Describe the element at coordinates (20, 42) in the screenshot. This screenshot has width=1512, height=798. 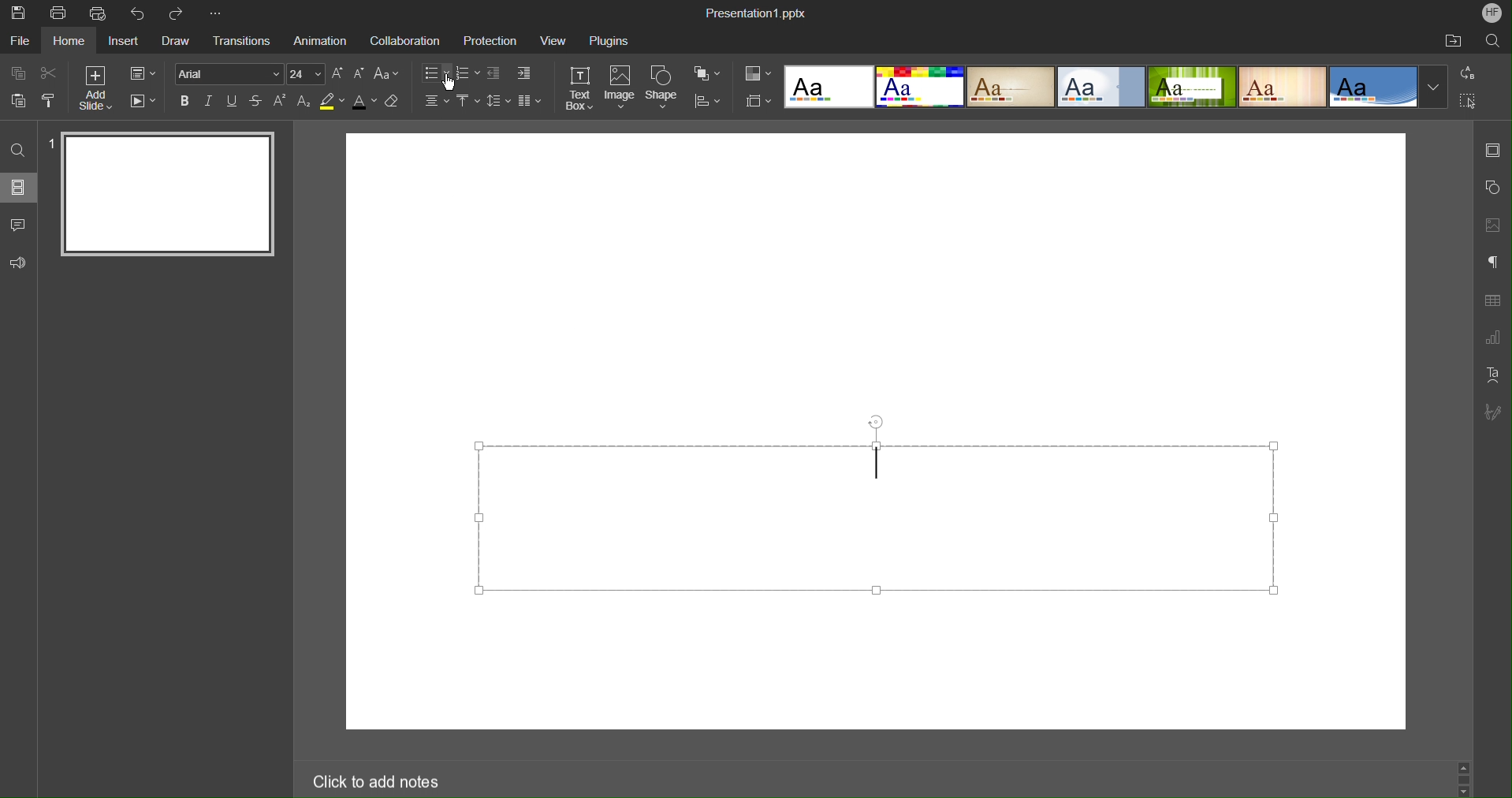
I see `File` at that location.